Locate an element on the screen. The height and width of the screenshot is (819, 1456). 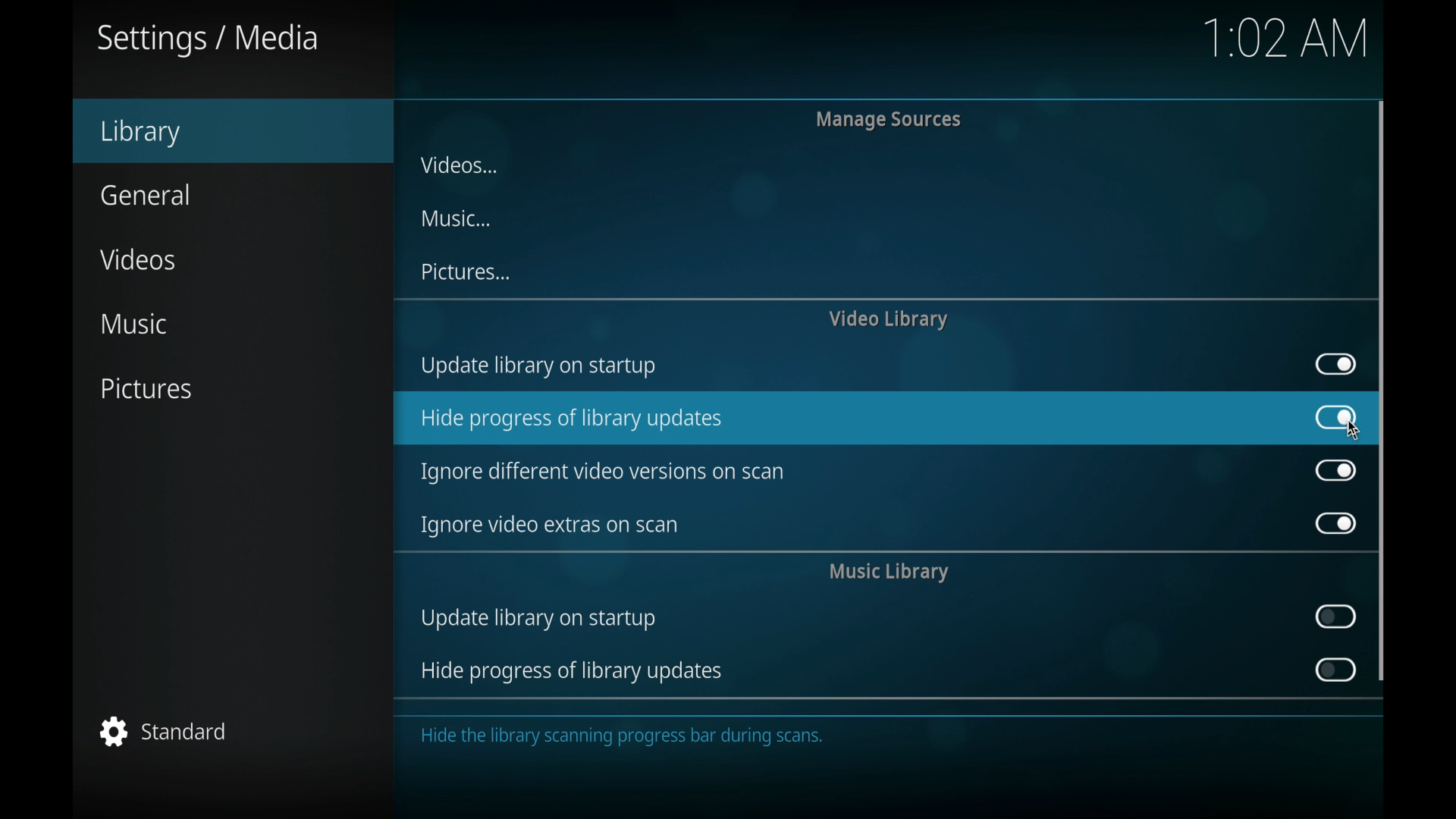
videos is located at coordinates (460, 165).